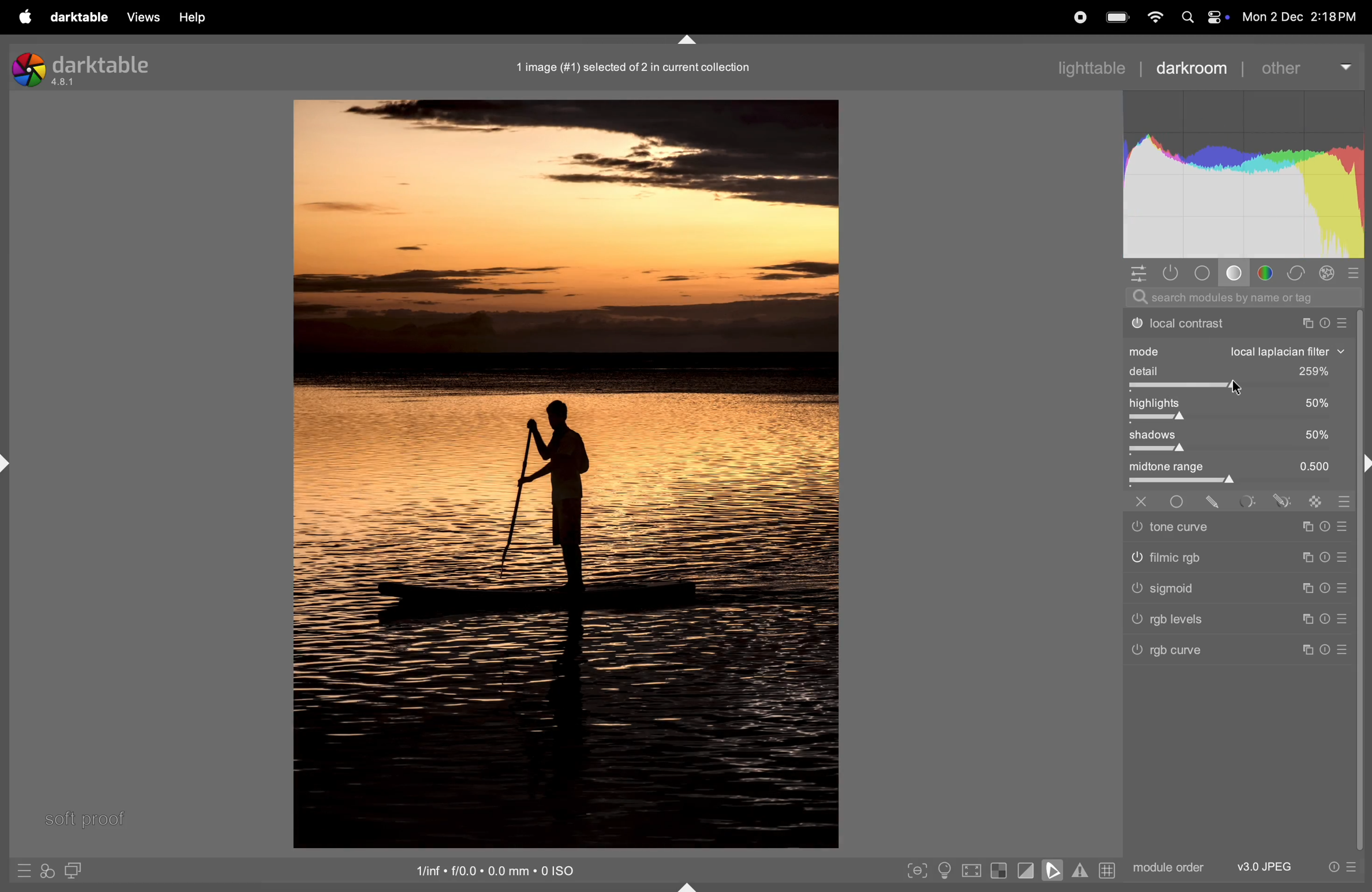  I want to click on toggle soft proofing, so click(1051, 869).